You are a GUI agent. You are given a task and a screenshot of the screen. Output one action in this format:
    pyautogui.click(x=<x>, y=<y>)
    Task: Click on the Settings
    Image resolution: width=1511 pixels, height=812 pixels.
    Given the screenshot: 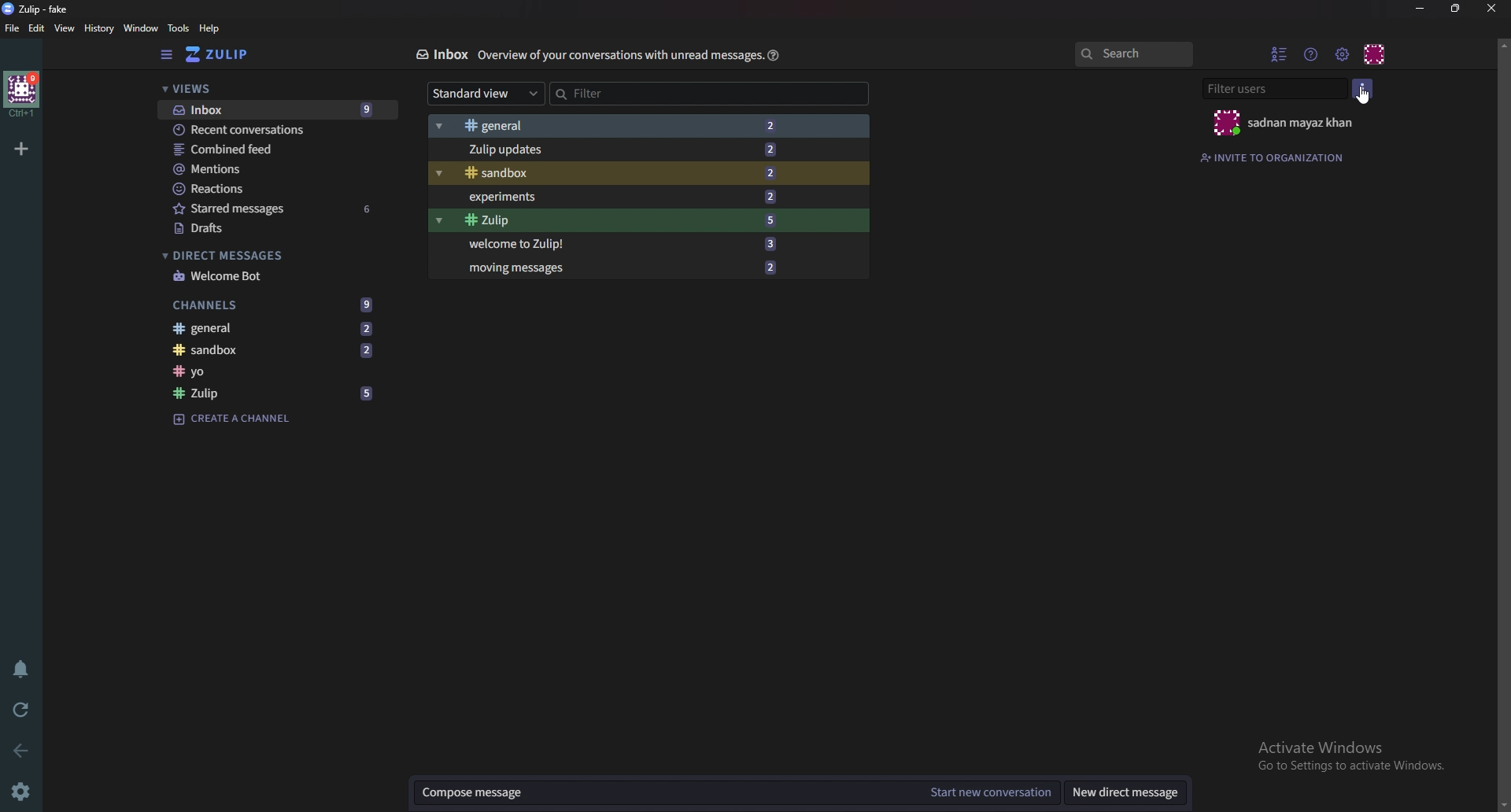 What is the action you would take?
    pyautogui.click(x=22, y=789)
    